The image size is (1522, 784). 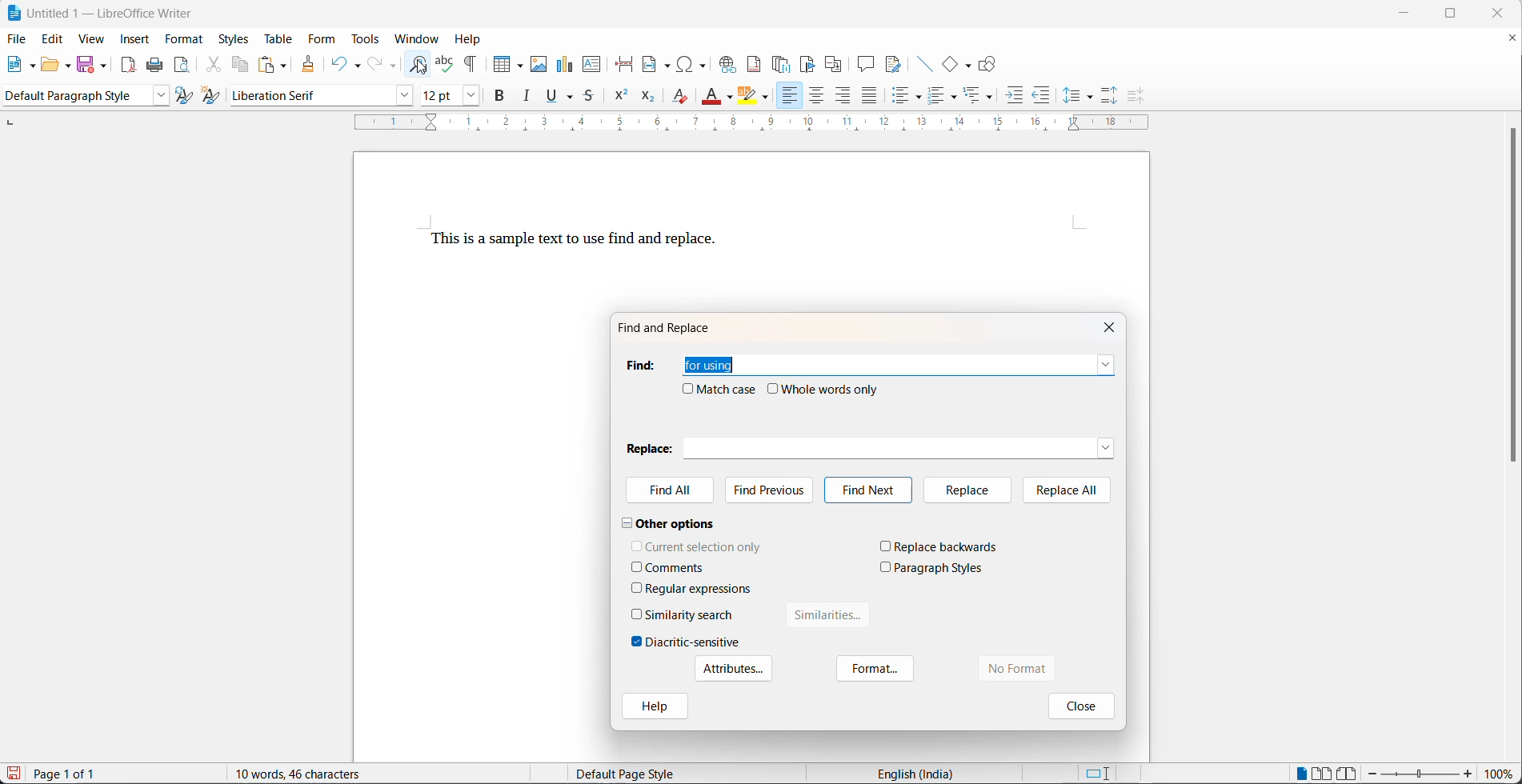 I want to click on paragraph style, so click(x=73, y=96).